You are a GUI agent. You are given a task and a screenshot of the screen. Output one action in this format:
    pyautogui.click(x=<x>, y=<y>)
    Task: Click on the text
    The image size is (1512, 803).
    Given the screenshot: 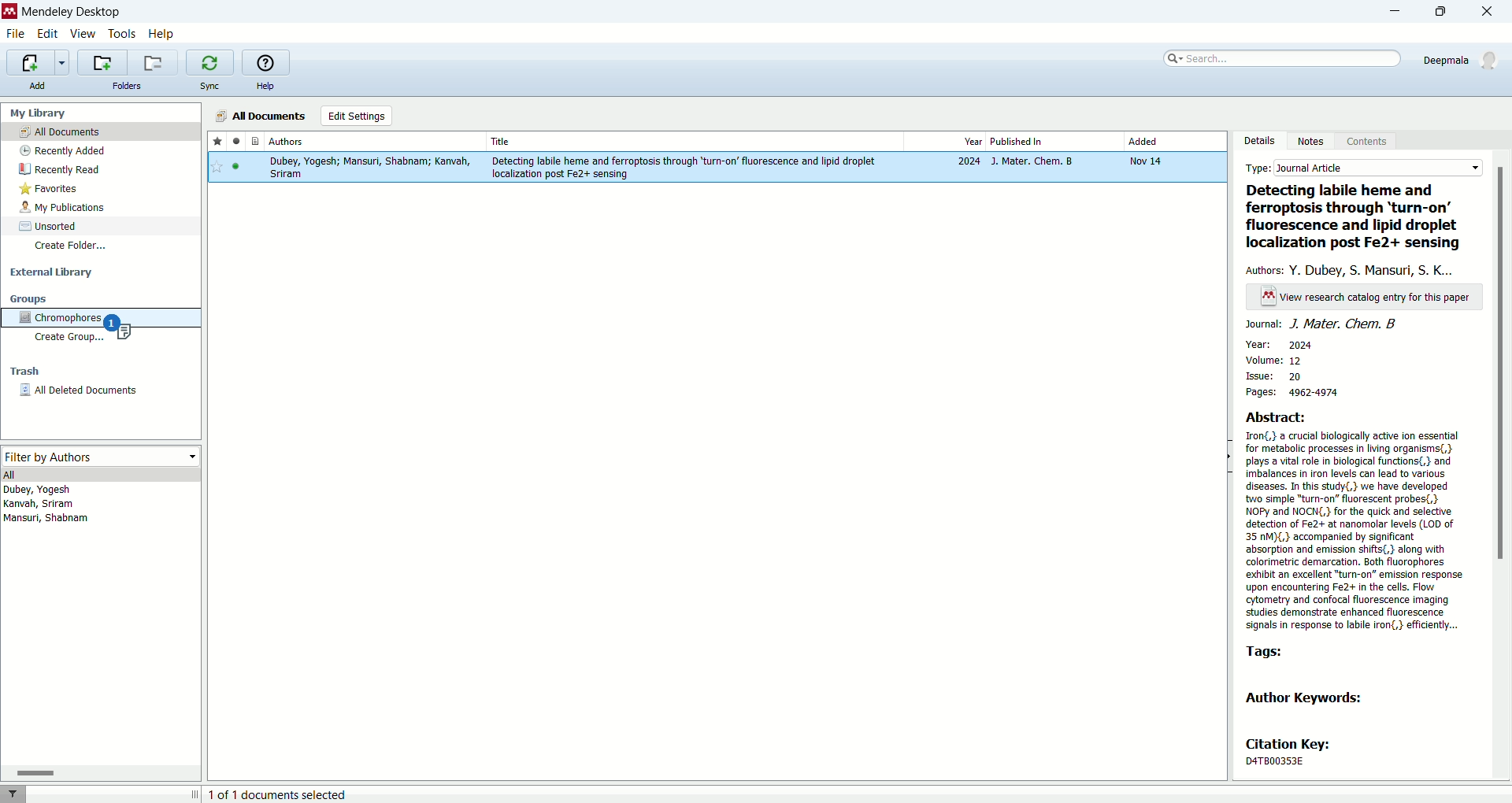 What is the action you would take?
    pyautogui.click(x=1366, y=298)
    